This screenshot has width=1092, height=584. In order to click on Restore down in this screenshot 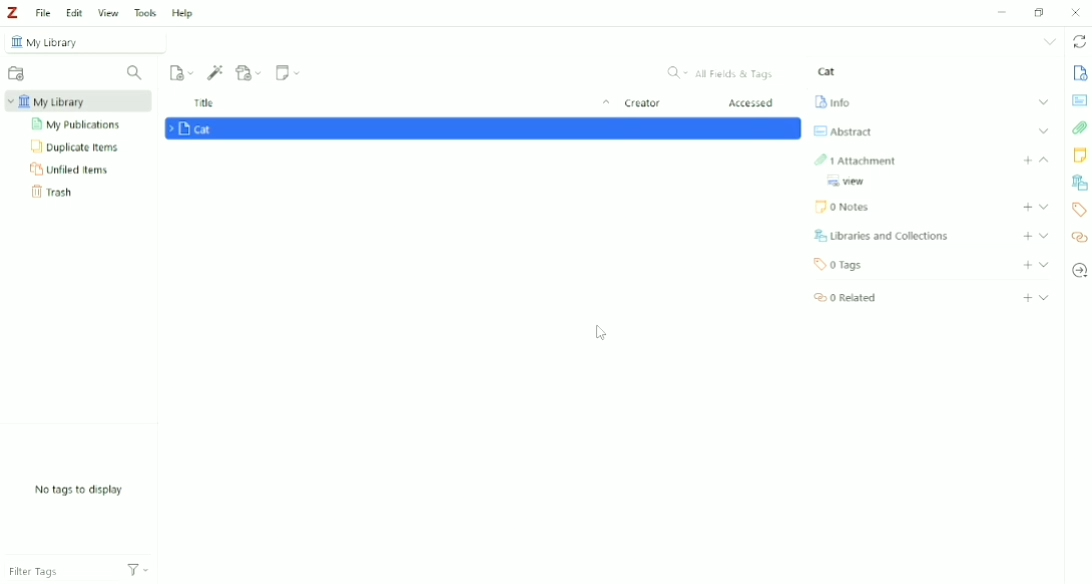, I will do `click(1042, 11)`.